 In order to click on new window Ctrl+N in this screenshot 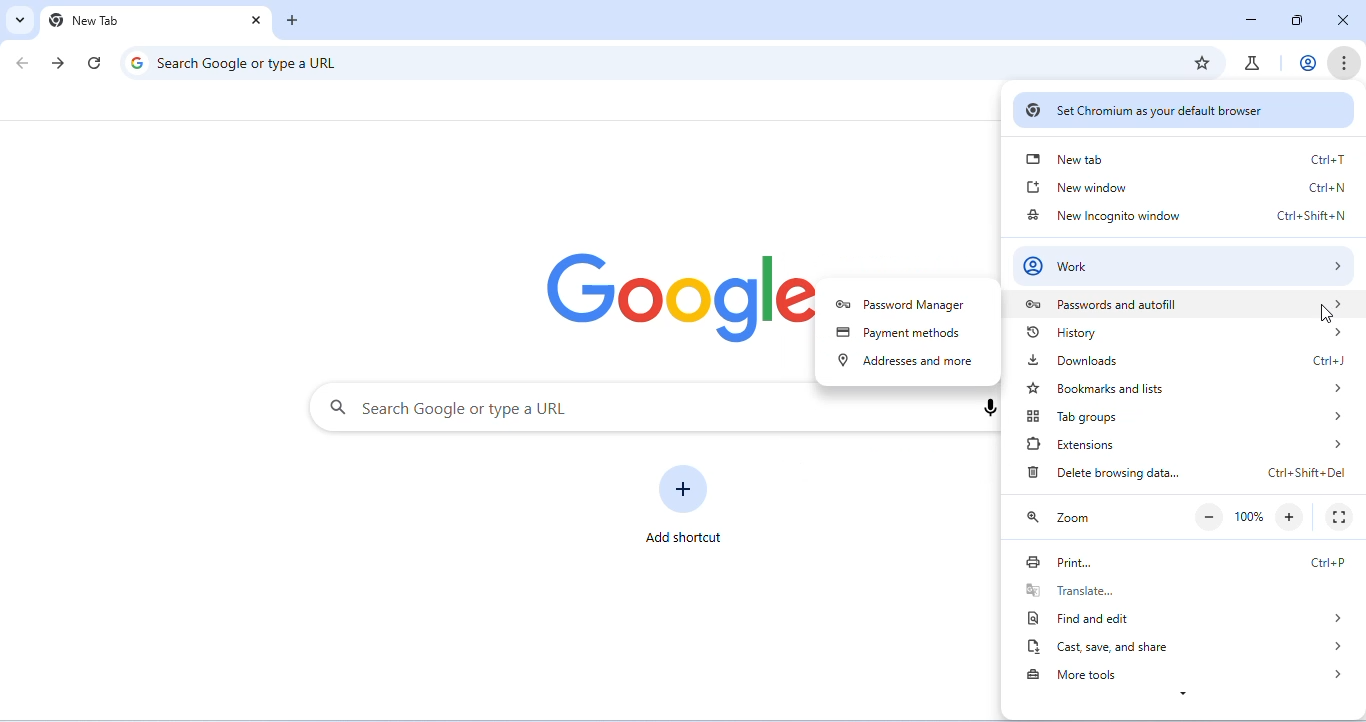, I will do `click(1189, 185)`.